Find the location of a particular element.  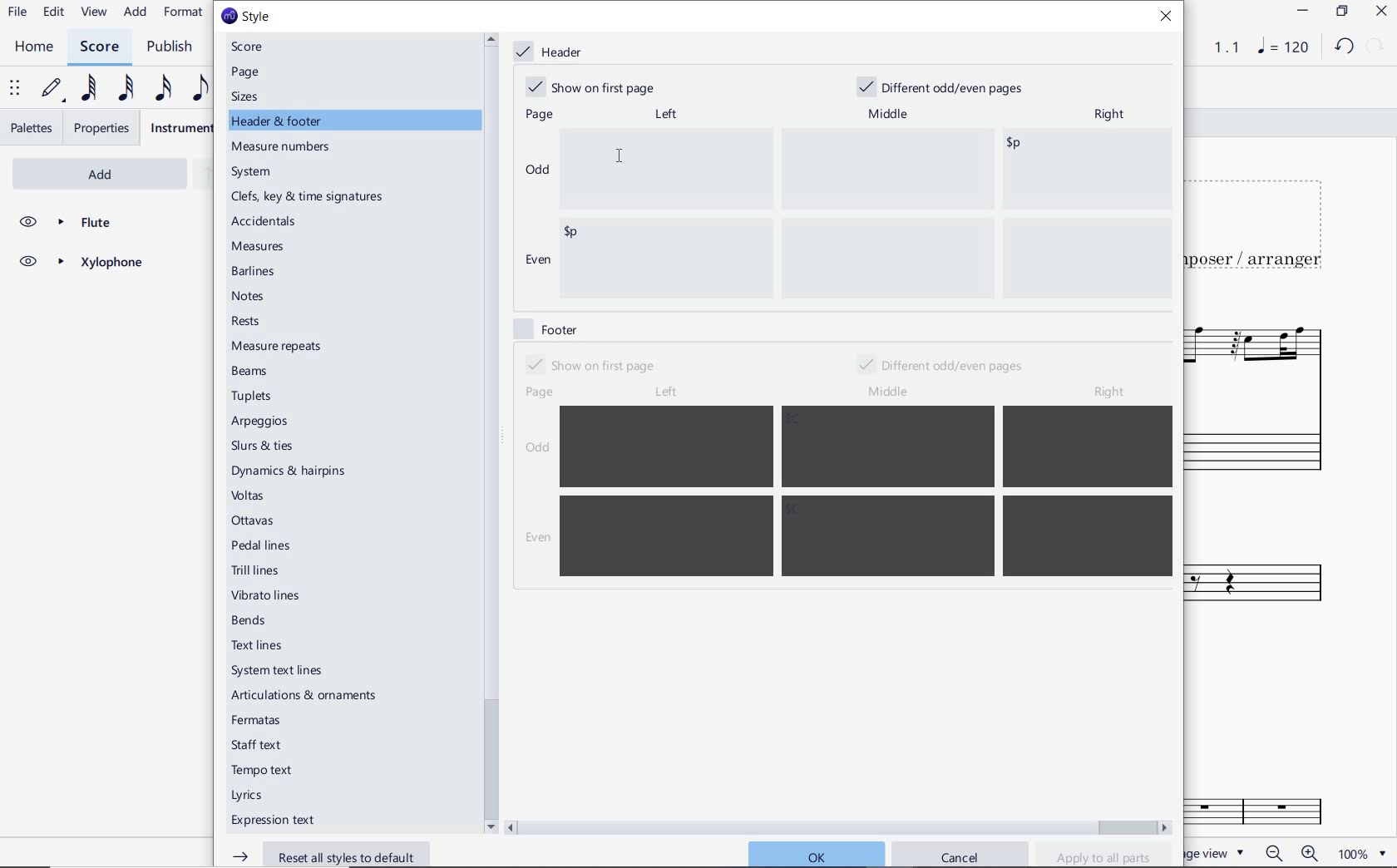

32ND NOTE is located at coordinates (124, 86).